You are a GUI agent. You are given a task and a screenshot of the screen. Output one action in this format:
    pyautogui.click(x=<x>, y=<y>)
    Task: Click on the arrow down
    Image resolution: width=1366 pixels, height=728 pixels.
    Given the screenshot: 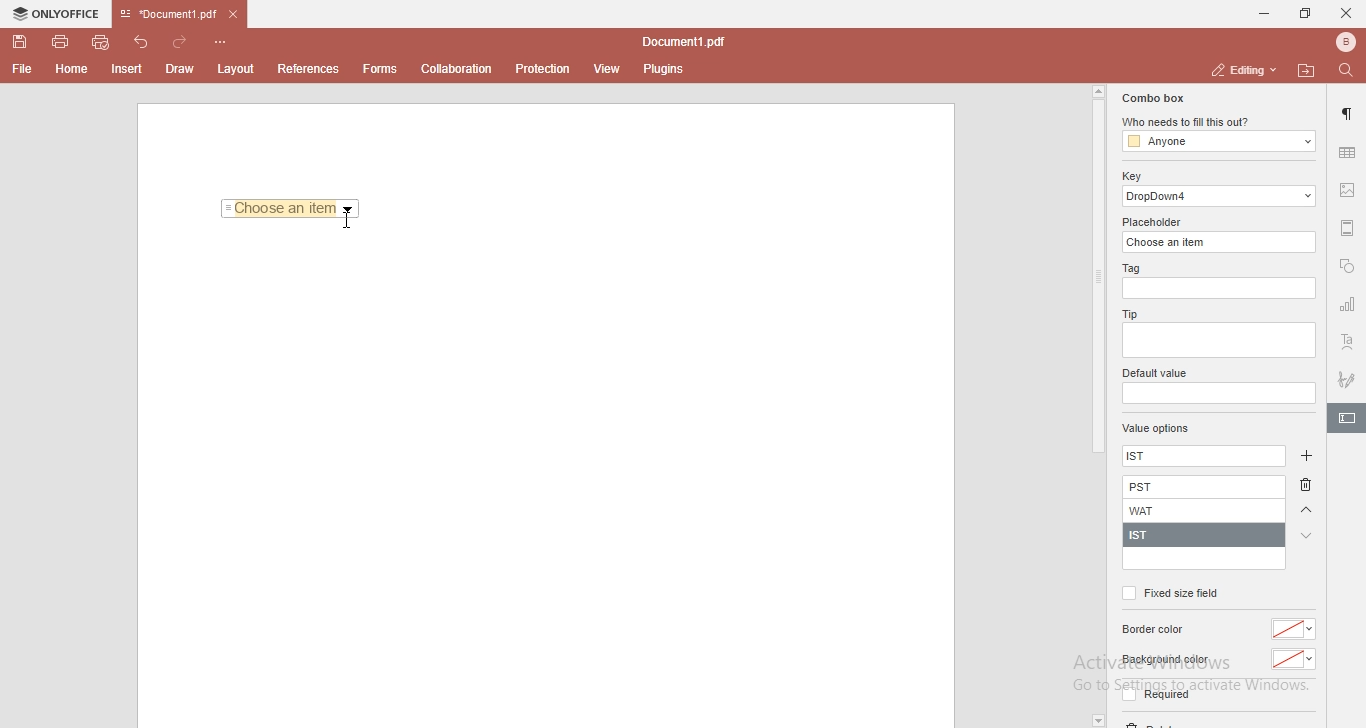 What is the action you would take?
    pyautogui.click(x=1307, y=536)
    